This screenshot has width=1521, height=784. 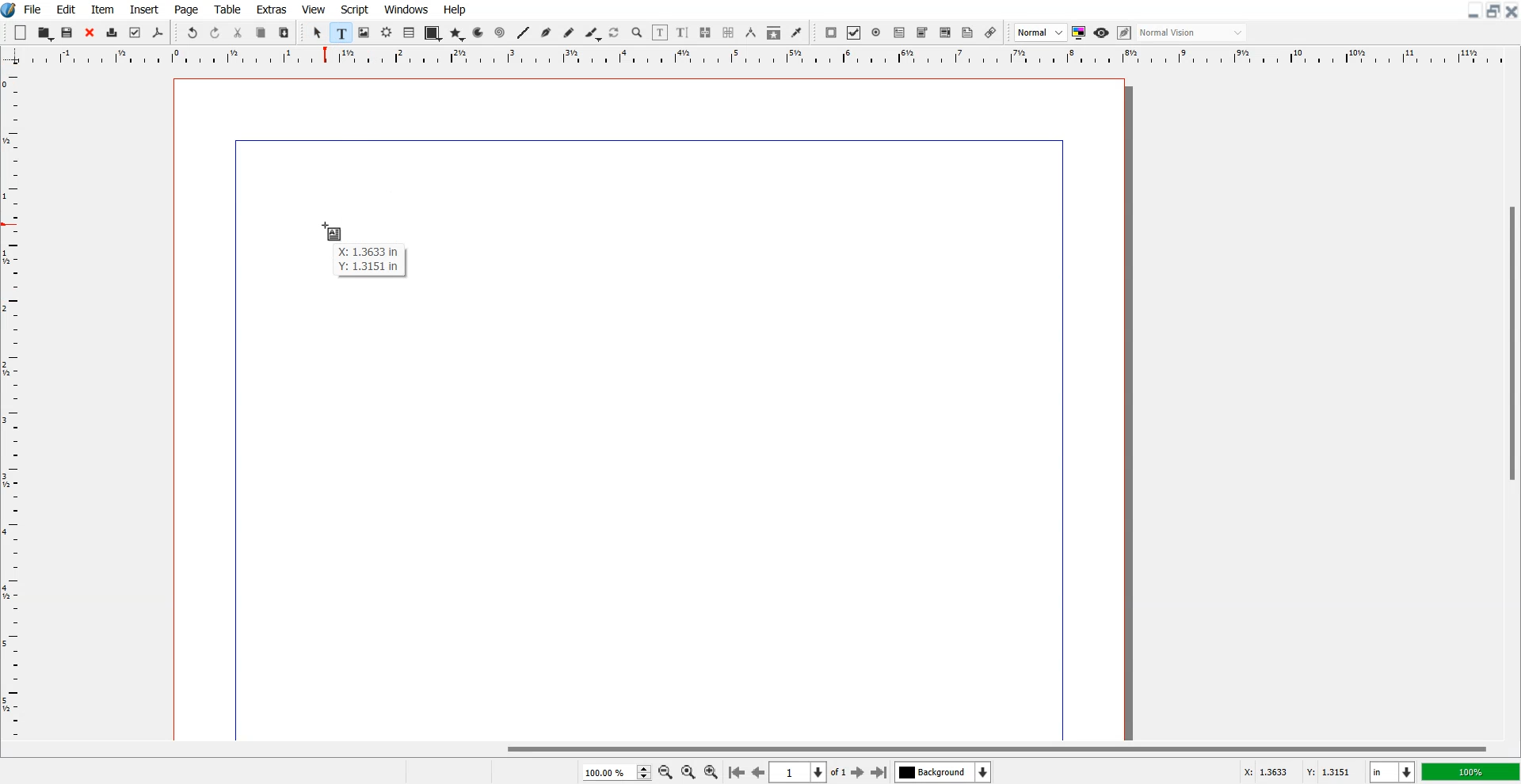 What do you see at coordinates (877, 32) in the screenshot?
I see `PDF Radio Button` at bounding box center [877, 32].